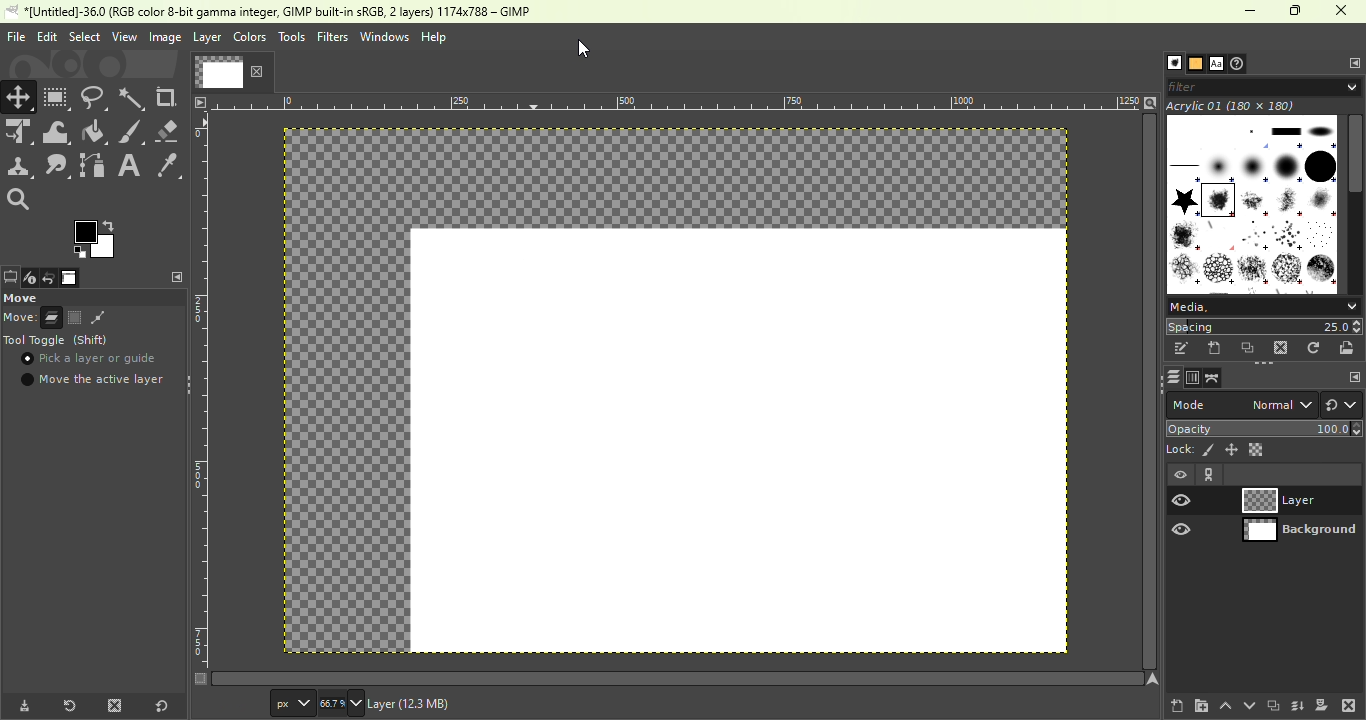  I want to click on Edit this brush, so click(1181, 348).